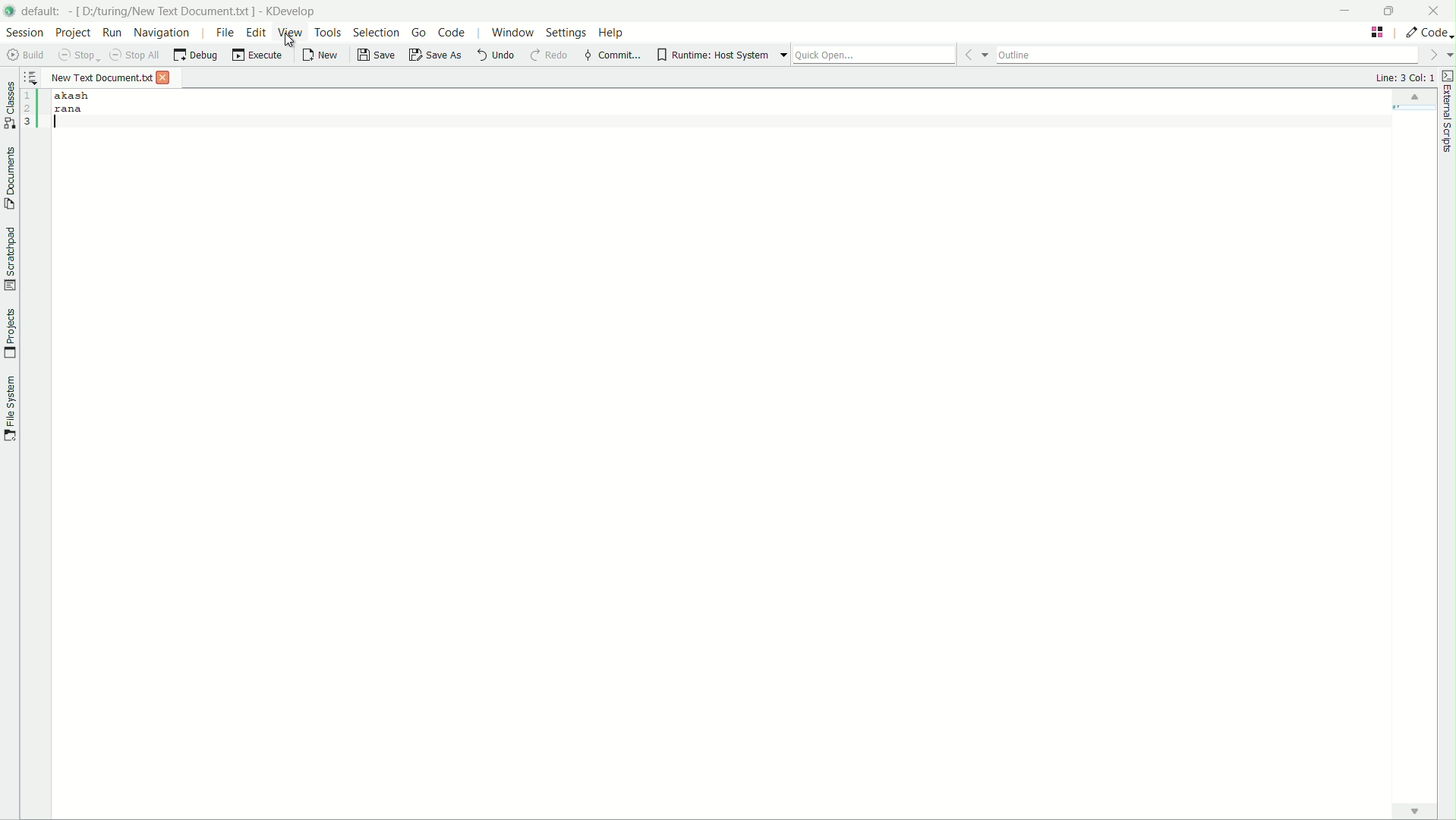 This screenshot has height=820, width=1456. I want to click on default: - [ D:/turing/New Text Document.txt ] - KDevelop, so click(176, 9).